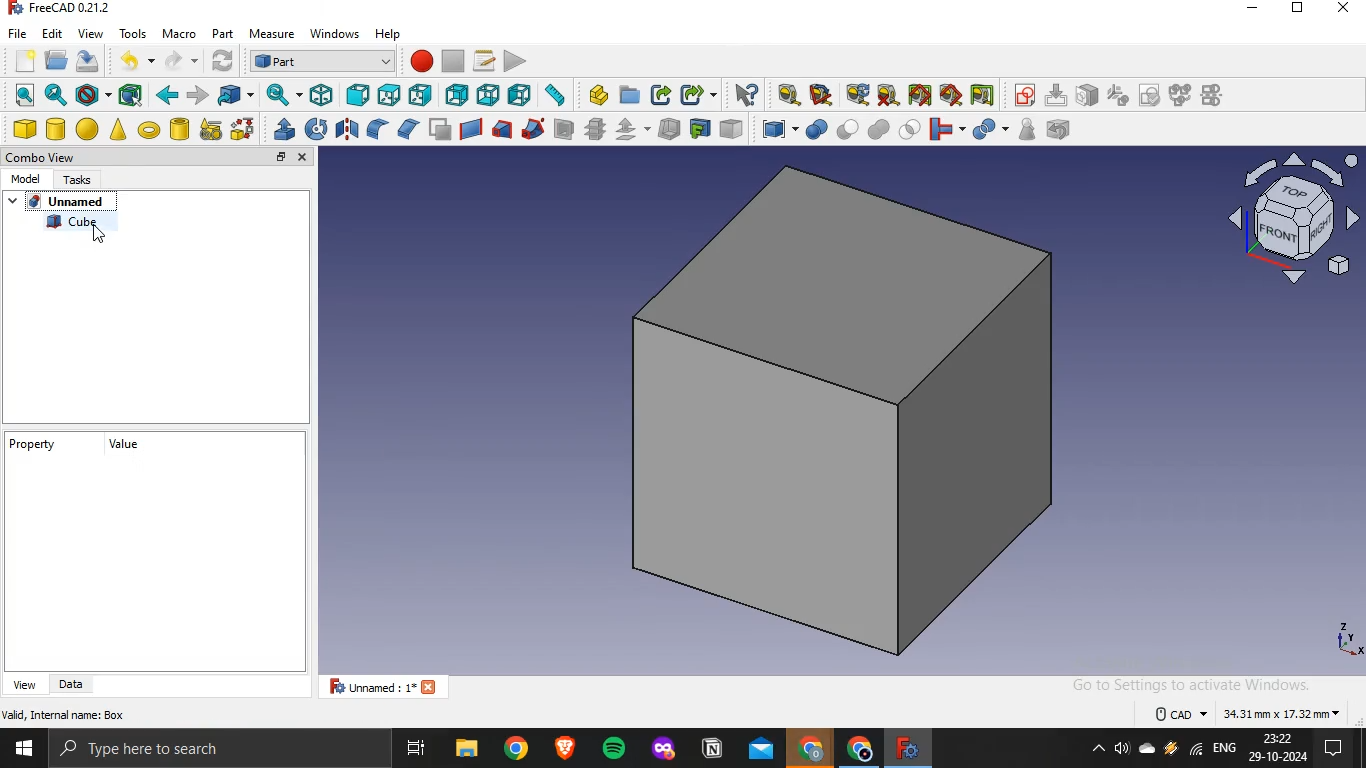 The image size is (1366, 768). I want to click on close, so click(1345, 9).